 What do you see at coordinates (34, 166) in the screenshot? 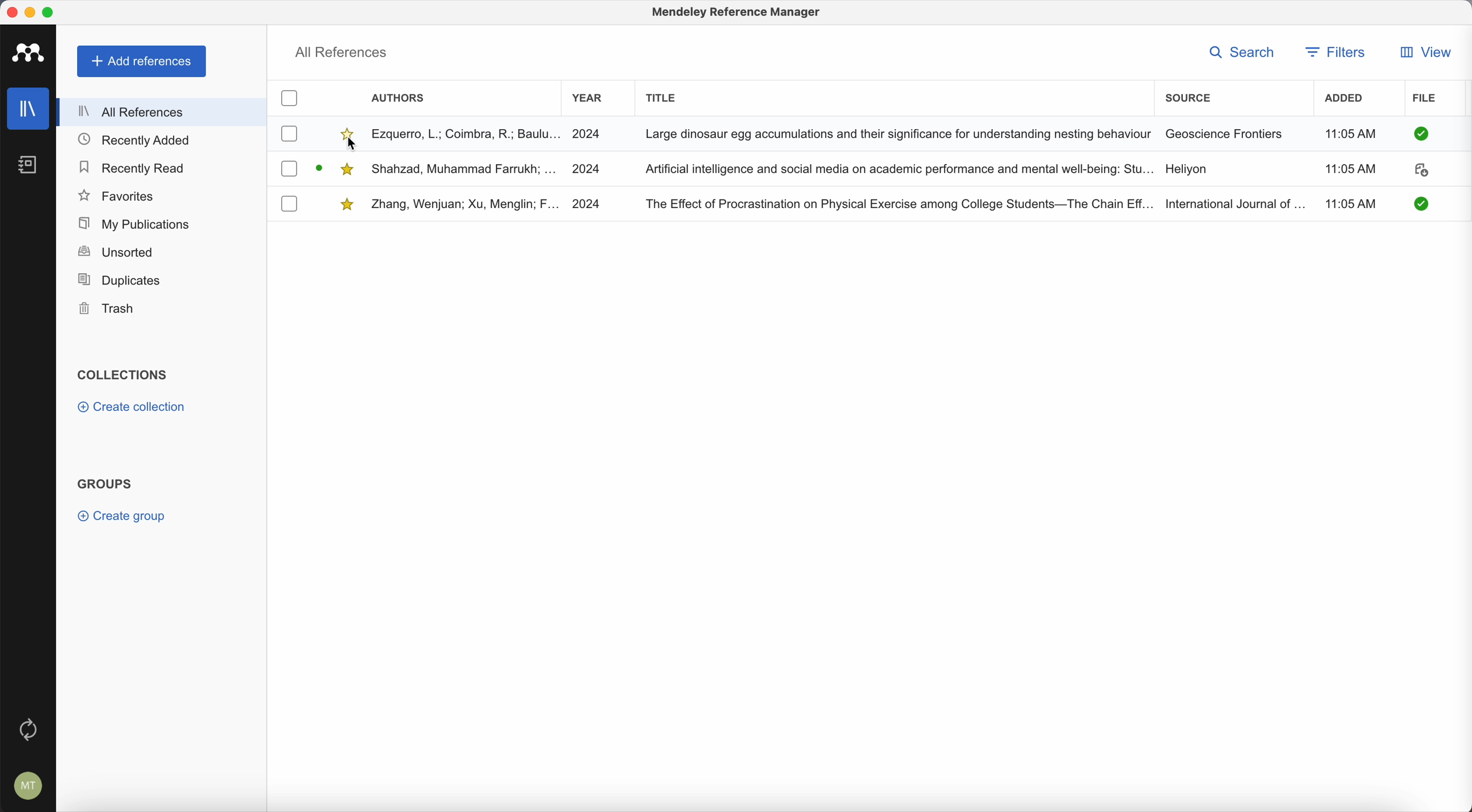
I see `notebook` at bounding box center [34, 166].